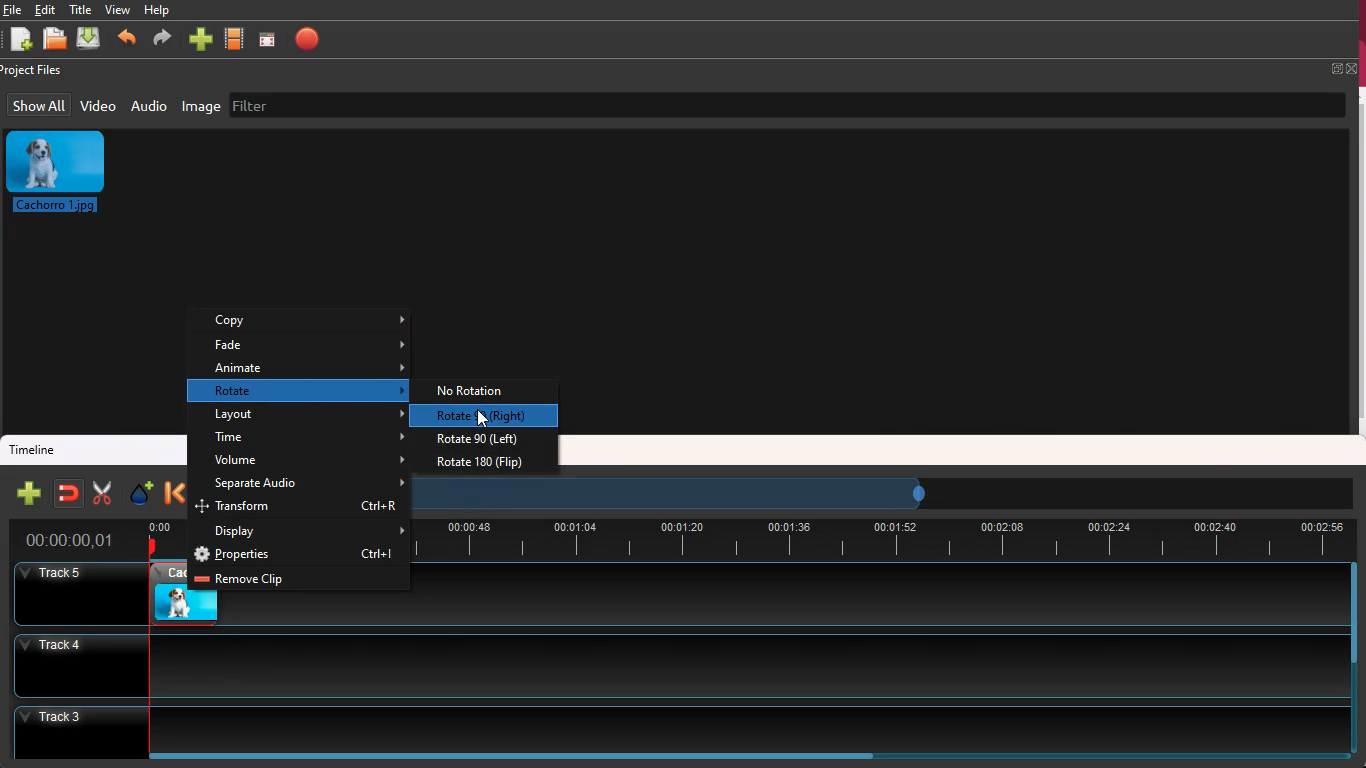  Describe the element at coordinates (81, 9) in the screenshot. I see `title` at that location.